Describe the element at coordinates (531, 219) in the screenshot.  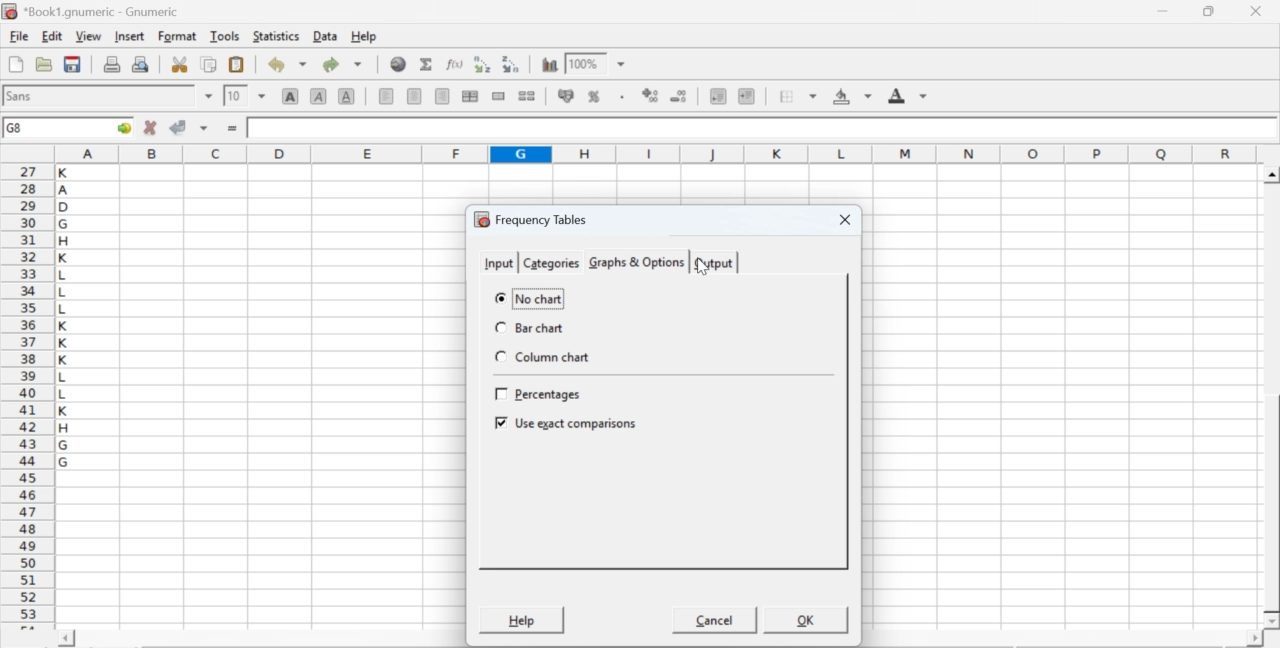
I see `frequency tables` at that location.